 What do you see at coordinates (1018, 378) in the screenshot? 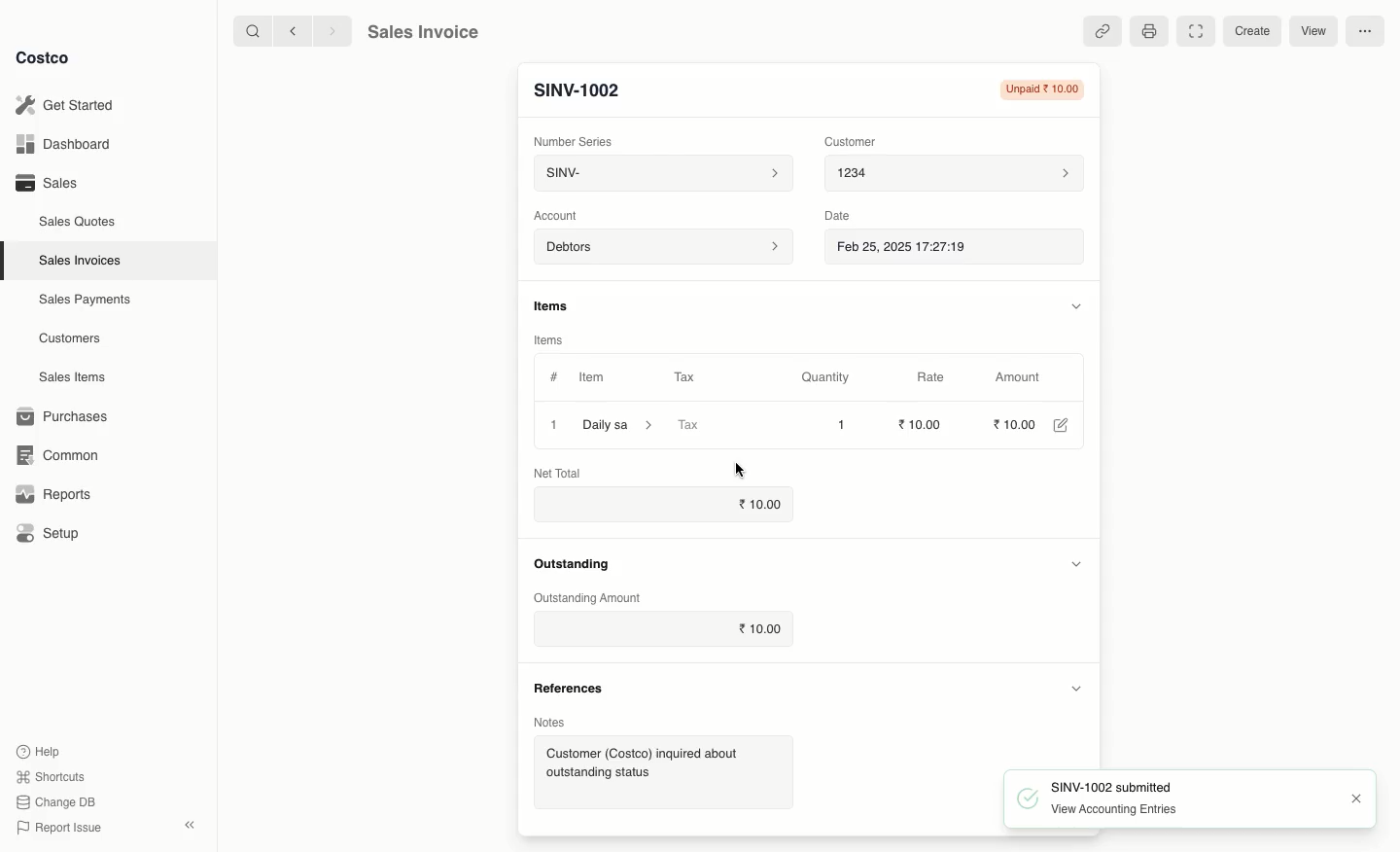
I see `‘Amount` at bounding box center [1018, 378].